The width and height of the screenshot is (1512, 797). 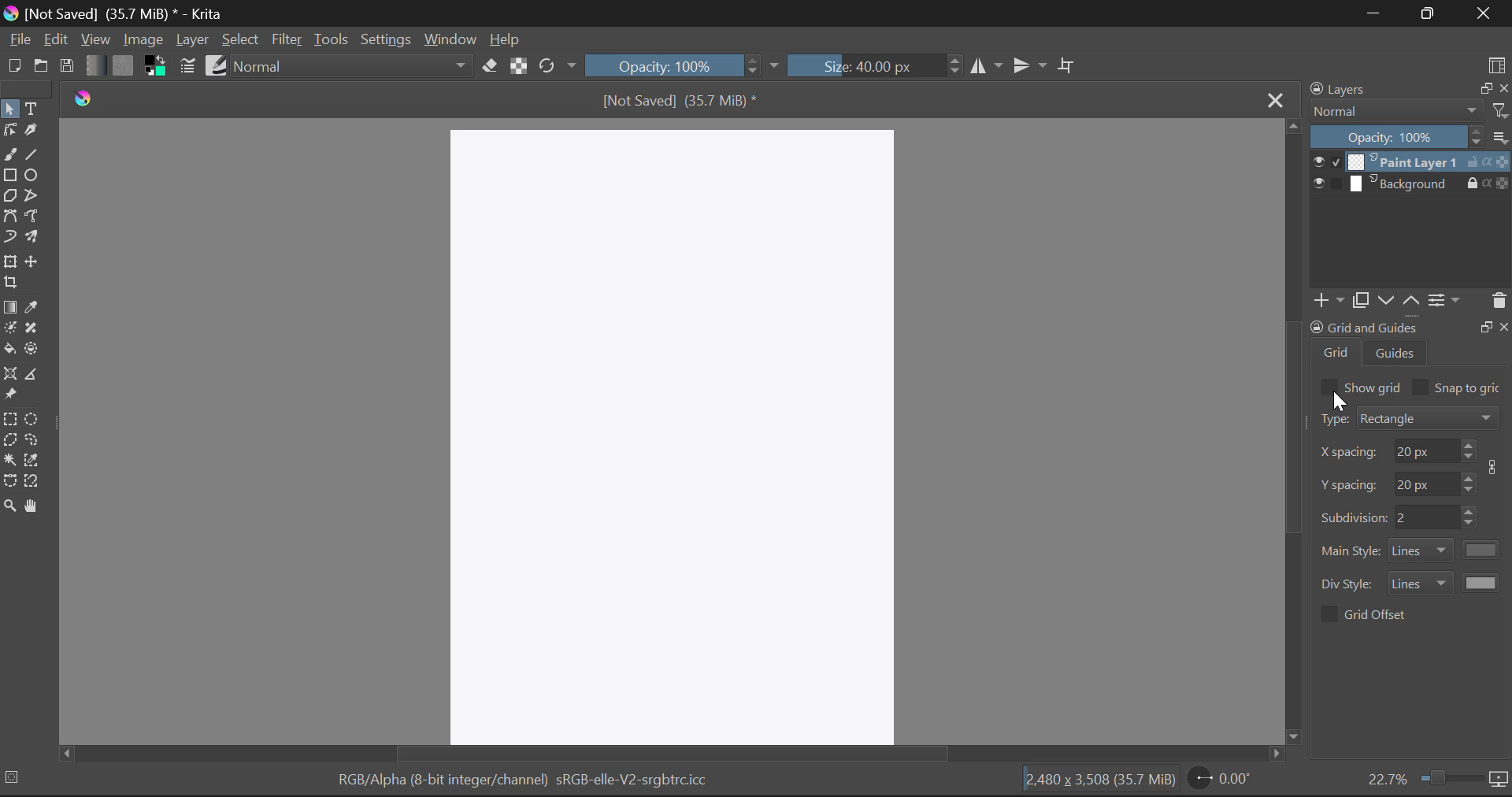 What do you see at coordinates (11, 197) in the screenshot?
I see `Polygon` at bounding box center [11, 197].